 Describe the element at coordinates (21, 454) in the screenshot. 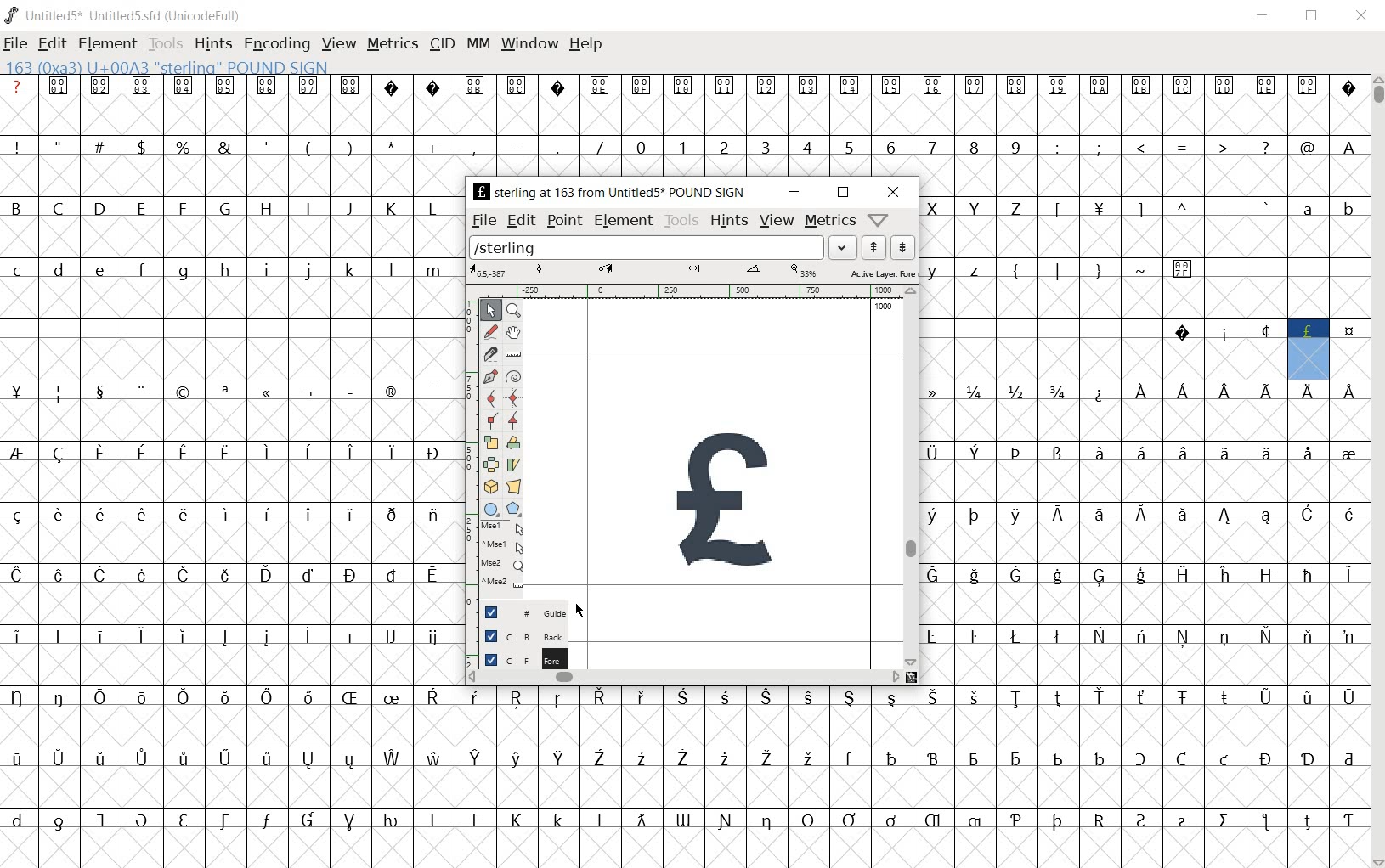

I see `Symbol` at that location.